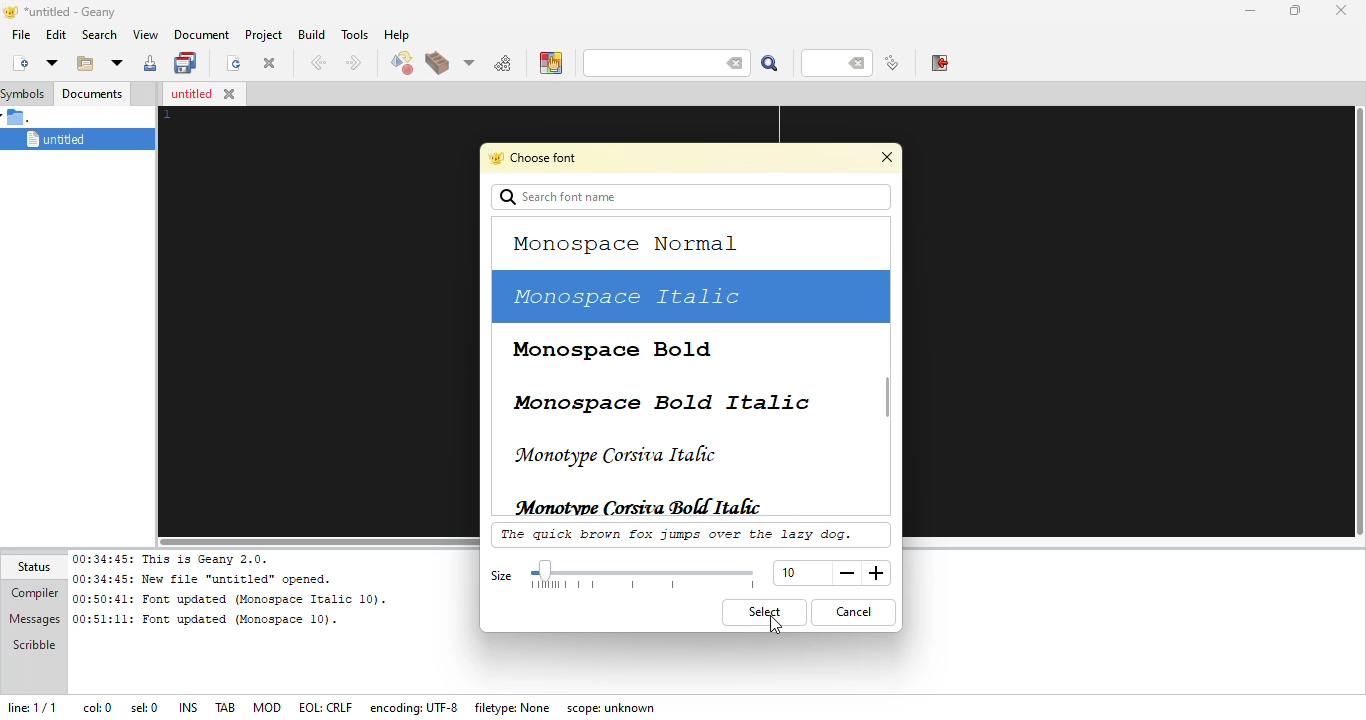 This screenshot has height=720, width=1366. What do you see at coordinates (513, 705) in the screenshot?
I see `filetype: none` at bounding box center [513, 705].